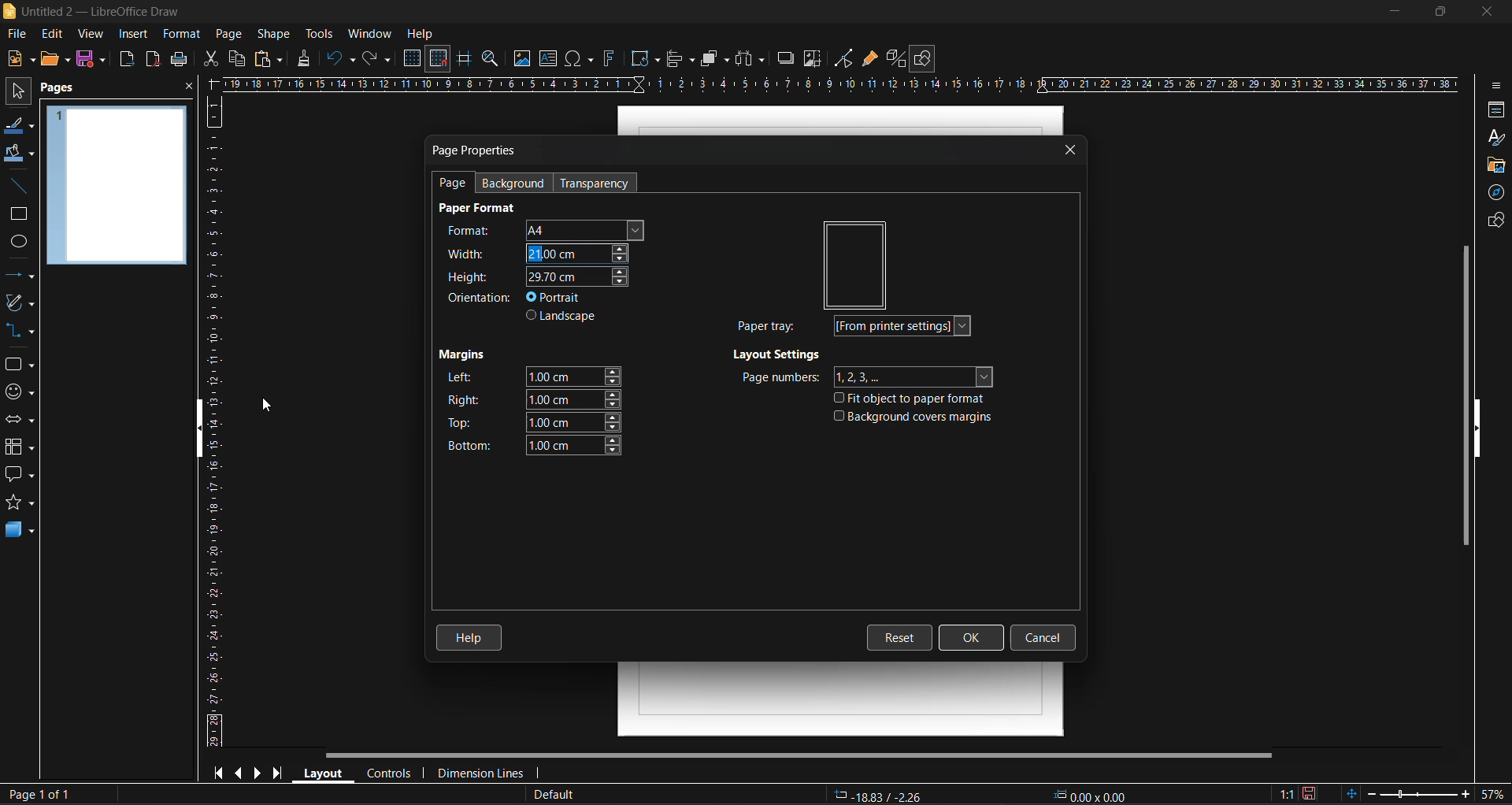  Describe the element at coordinates (283, 773) in the screenshot. I see `last` at that location.